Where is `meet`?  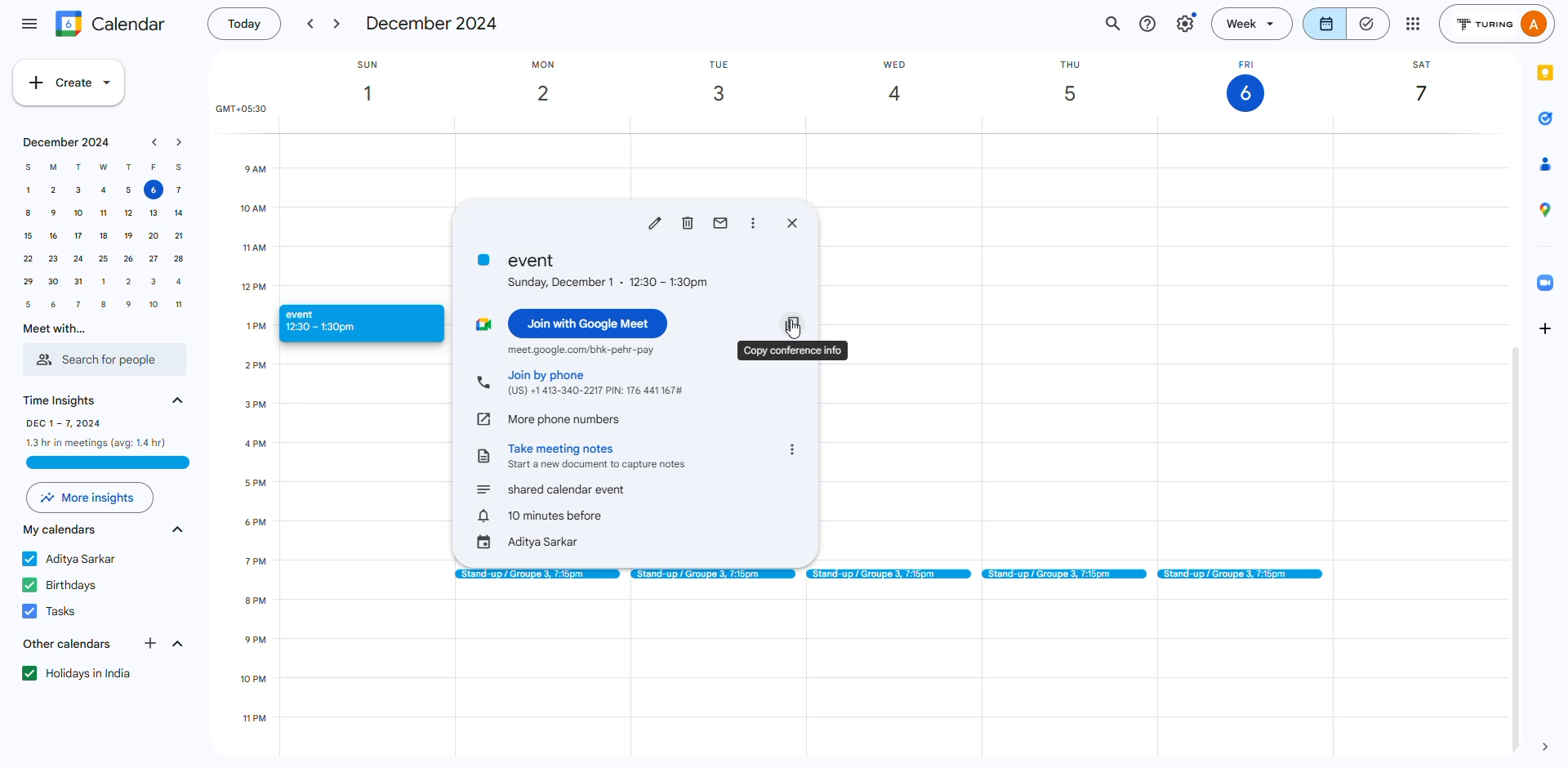 meet is located at coordinates (50, 329).